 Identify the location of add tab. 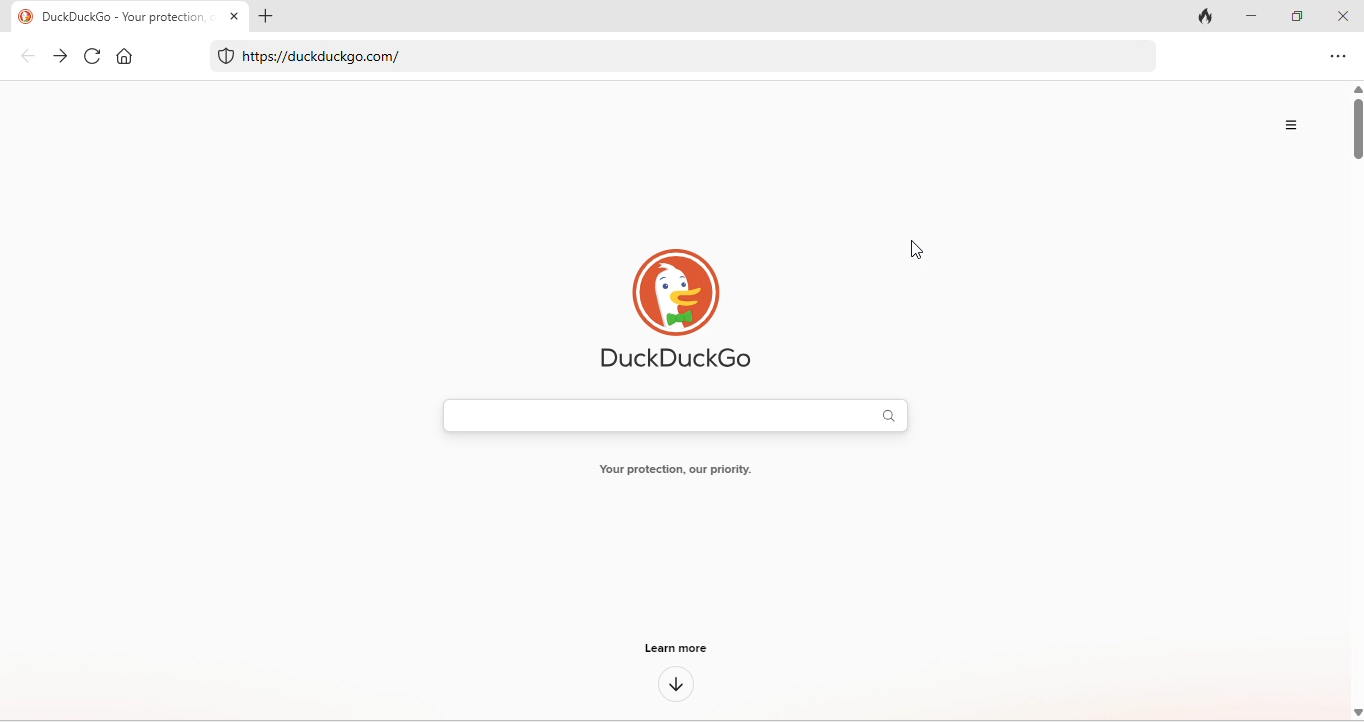
(266, 17).